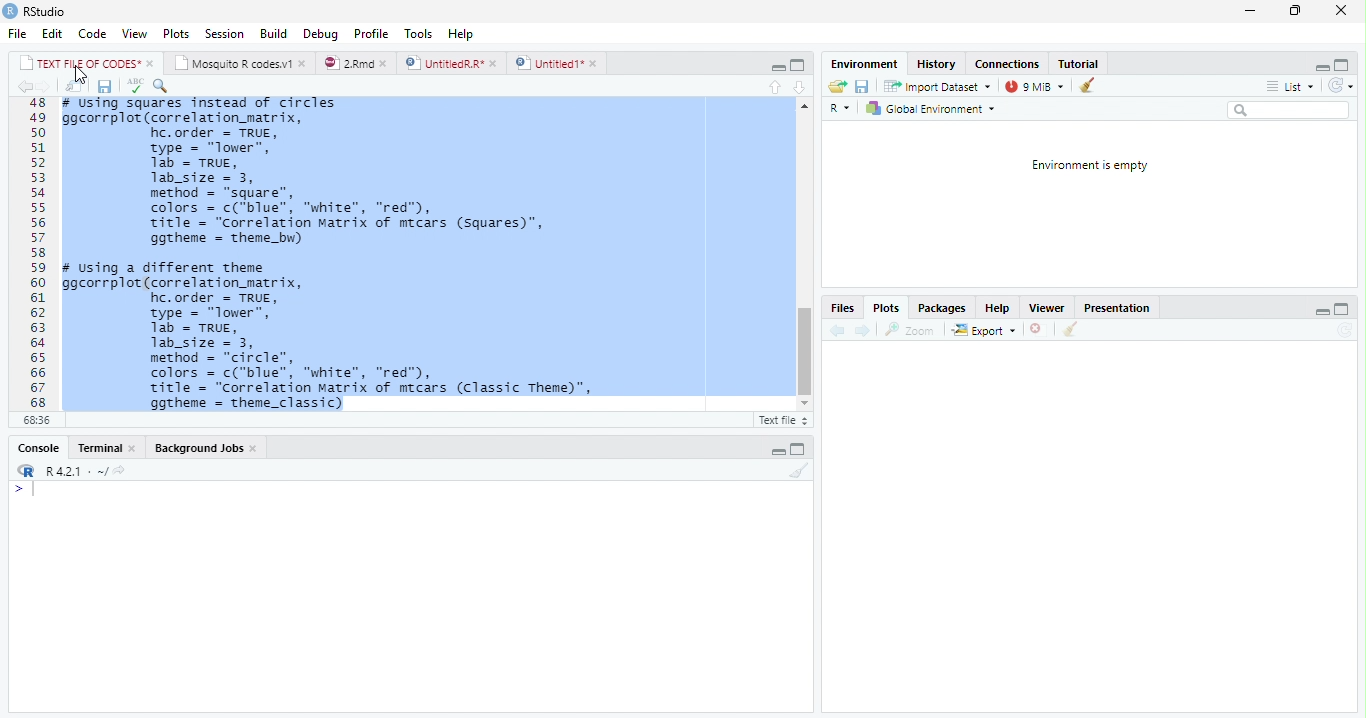 The height and width of the screenshot is (718, 1366). What do you see at coordinates (1347, 87) in the screenshot?
I see `refresh` at bounding box center [1347, 87].